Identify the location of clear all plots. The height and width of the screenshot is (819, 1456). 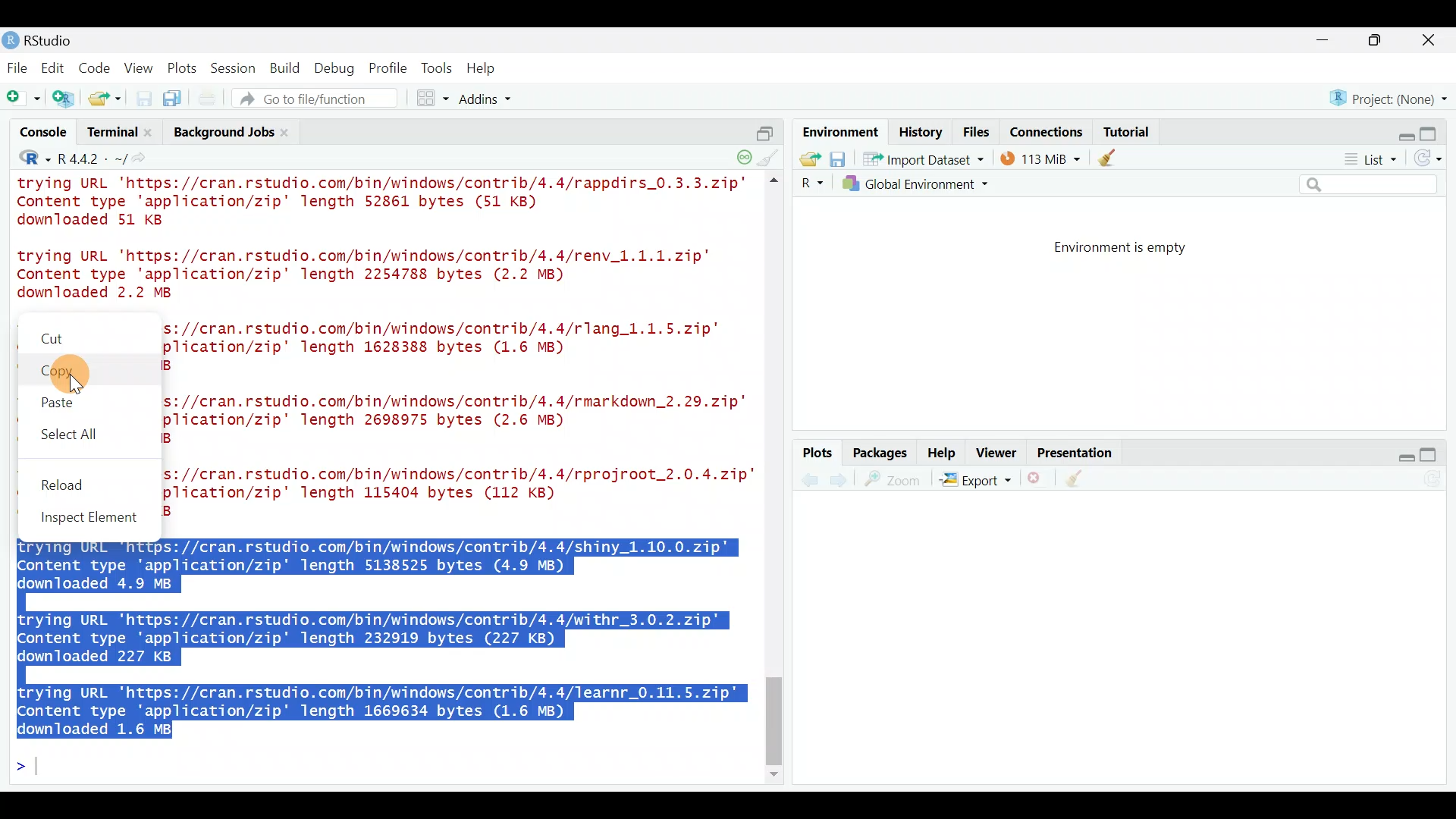
(1083, 481).